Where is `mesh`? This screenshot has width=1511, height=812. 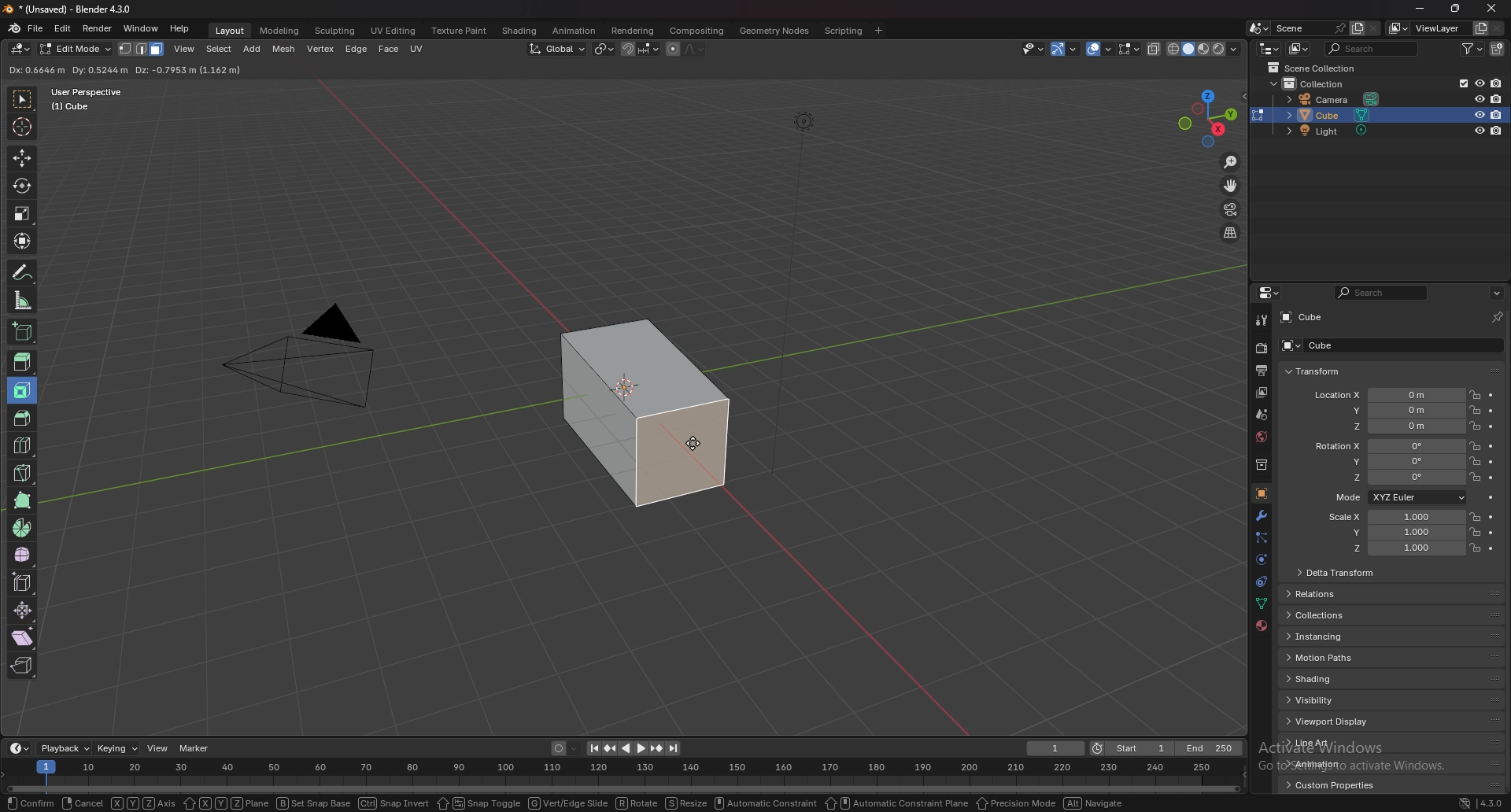
mesh is located at coordinates (284, 50).